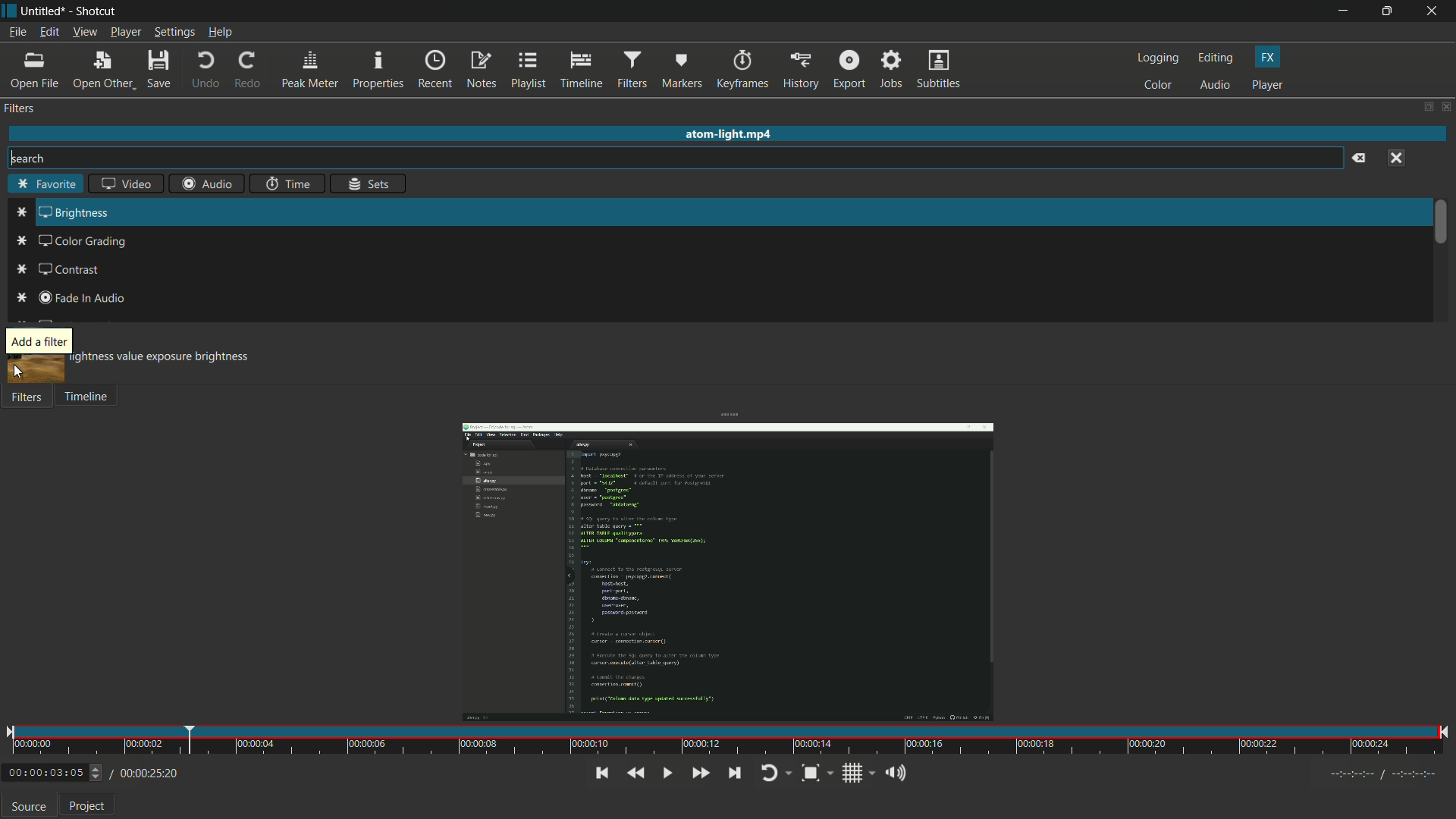 The image size is (1456, 819). I want to click on color grading, so click(83, 242).